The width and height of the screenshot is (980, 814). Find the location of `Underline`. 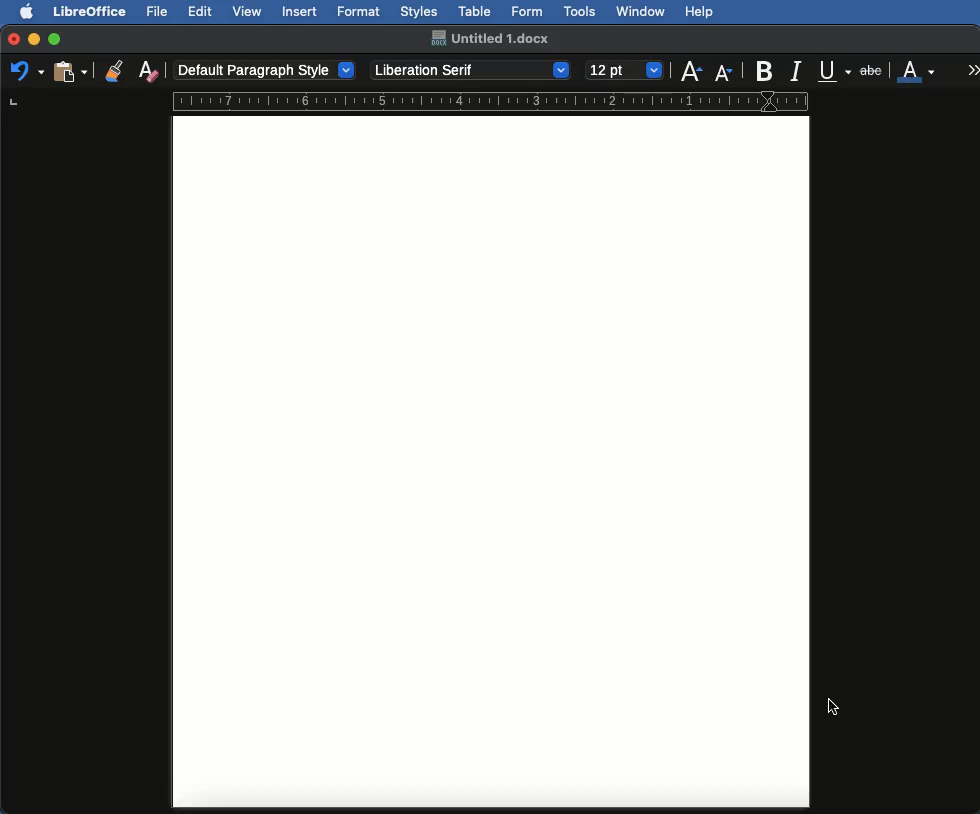

Underline is located at coordinates (836, 72).